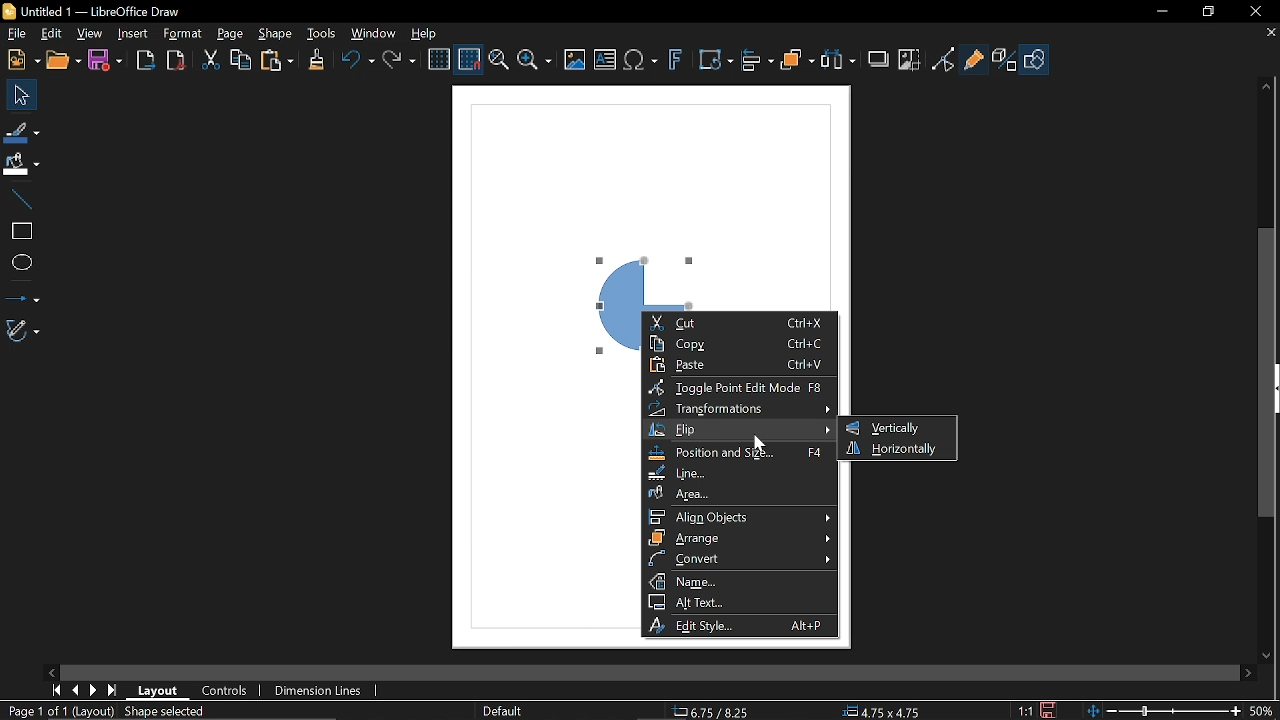 This screenshot has width=1280, height=720. Describe the element at coordinates (740, 410) in the screenshot. I see `Transformations` at that location.